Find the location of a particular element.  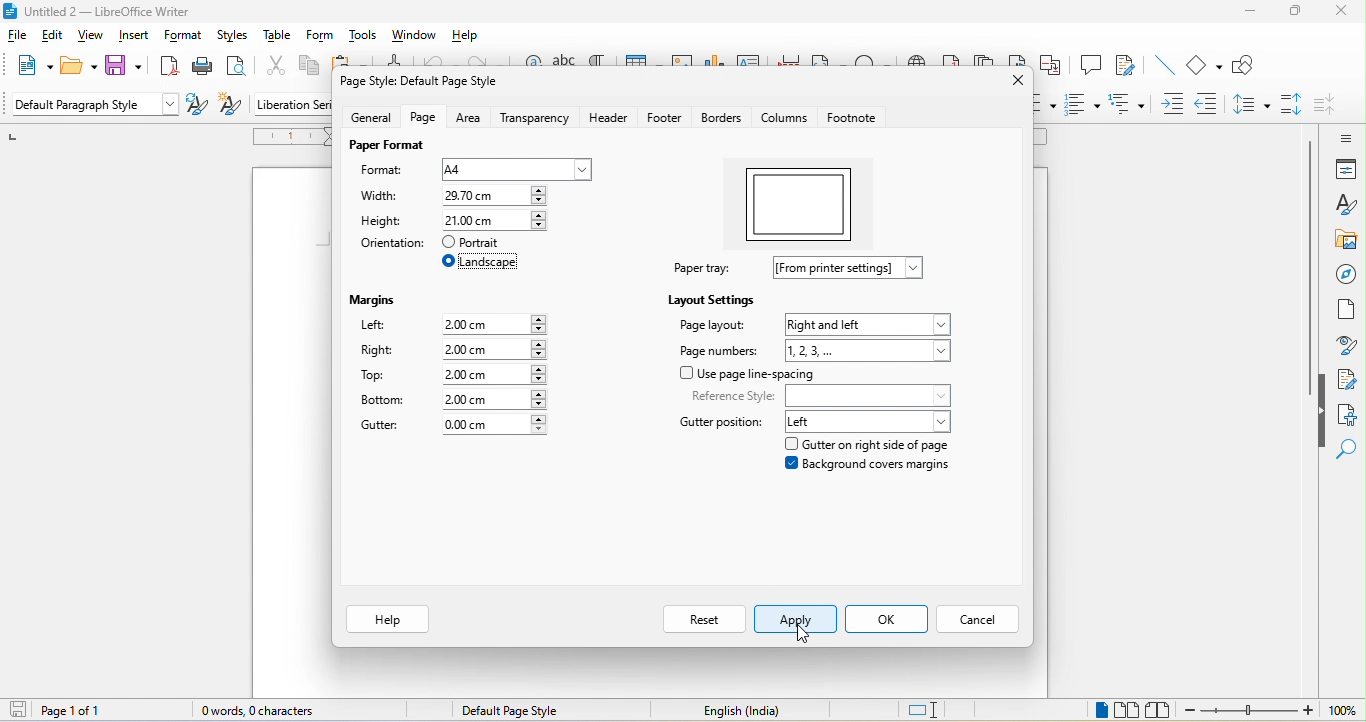

reset is located at coordinates (700, 620).